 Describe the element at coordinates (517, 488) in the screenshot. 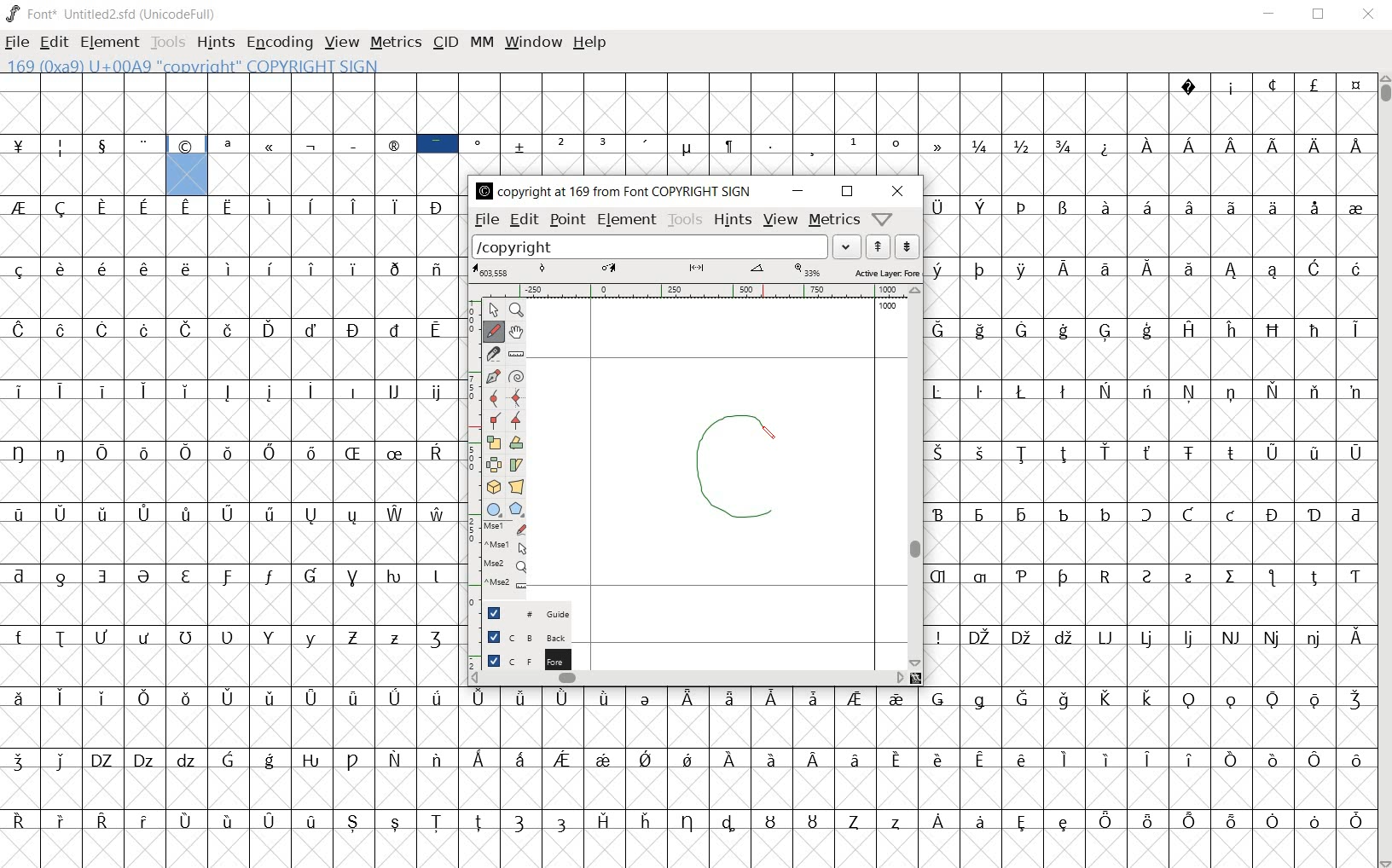

I see `perform a perspective transformation on the selection` at that location.